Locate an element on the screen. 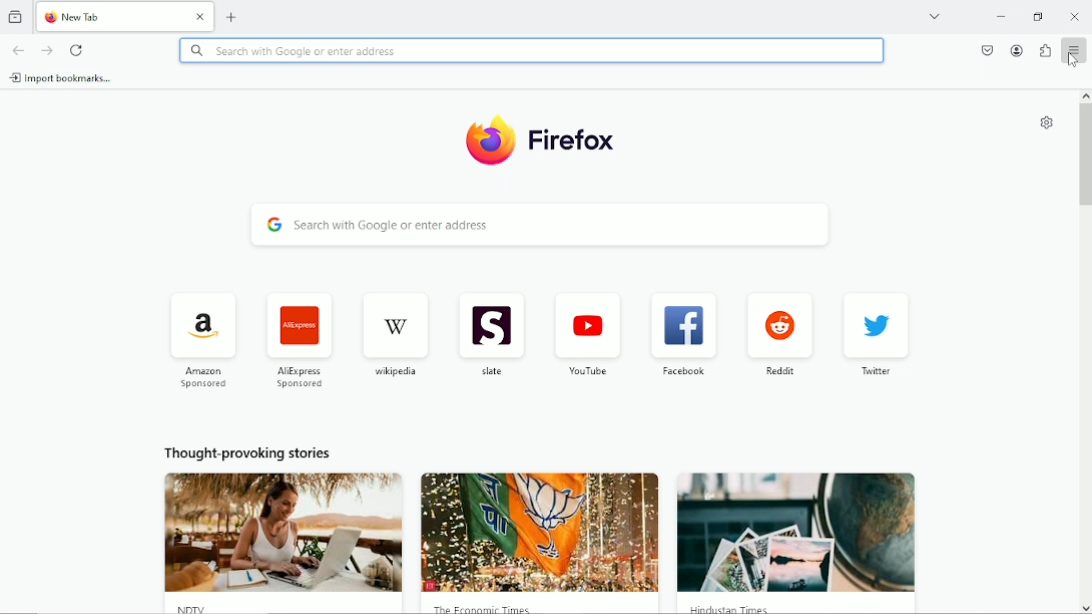 This screenshot has height=614, width=1092. search with Google or enter address is located at coordinates (544, 226).